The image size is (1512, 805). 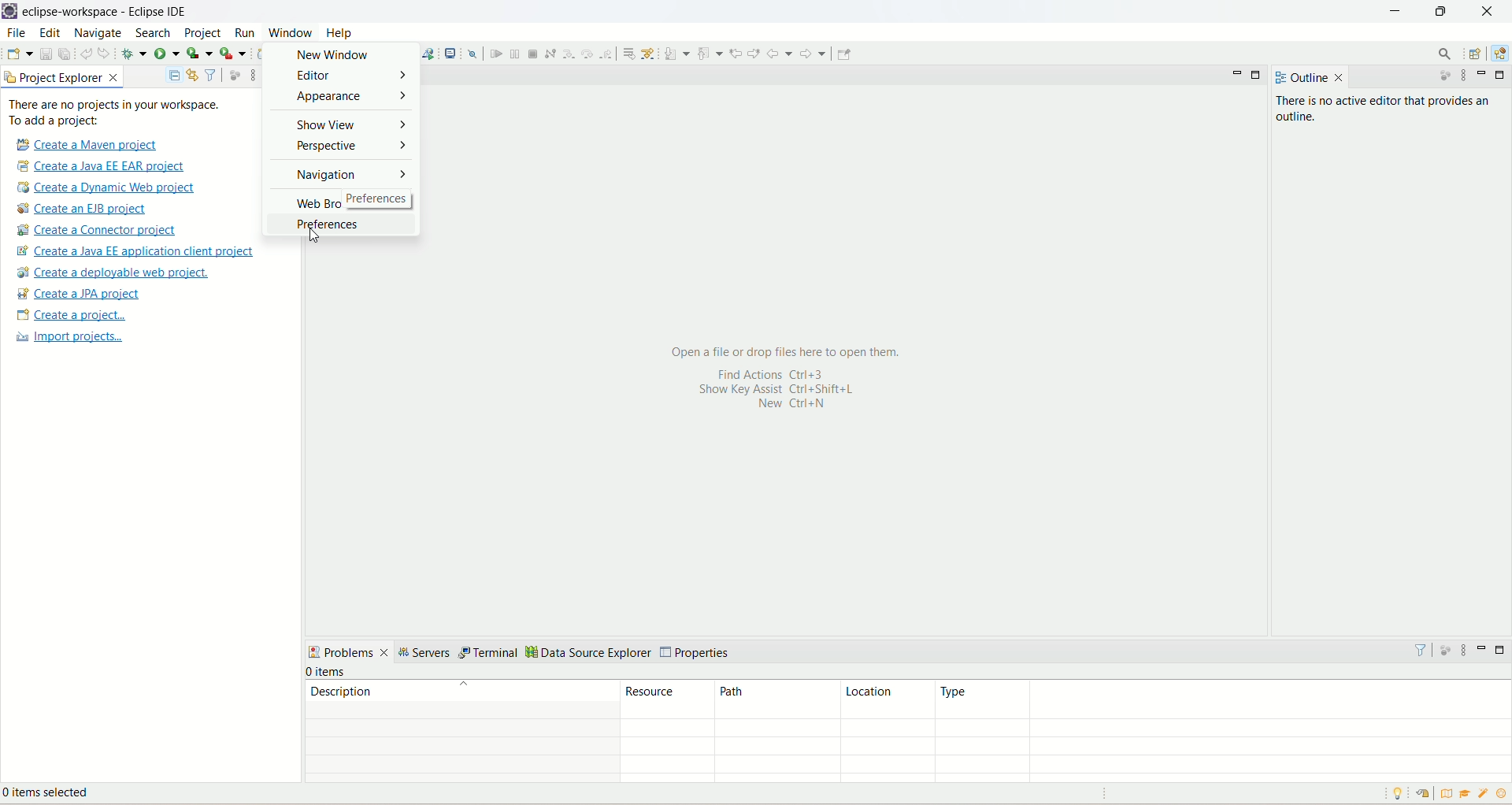 What do you see at coordinates (1401, 793) in the screenshot?
I see `tip of the day` at bounding box center [1401, 793].